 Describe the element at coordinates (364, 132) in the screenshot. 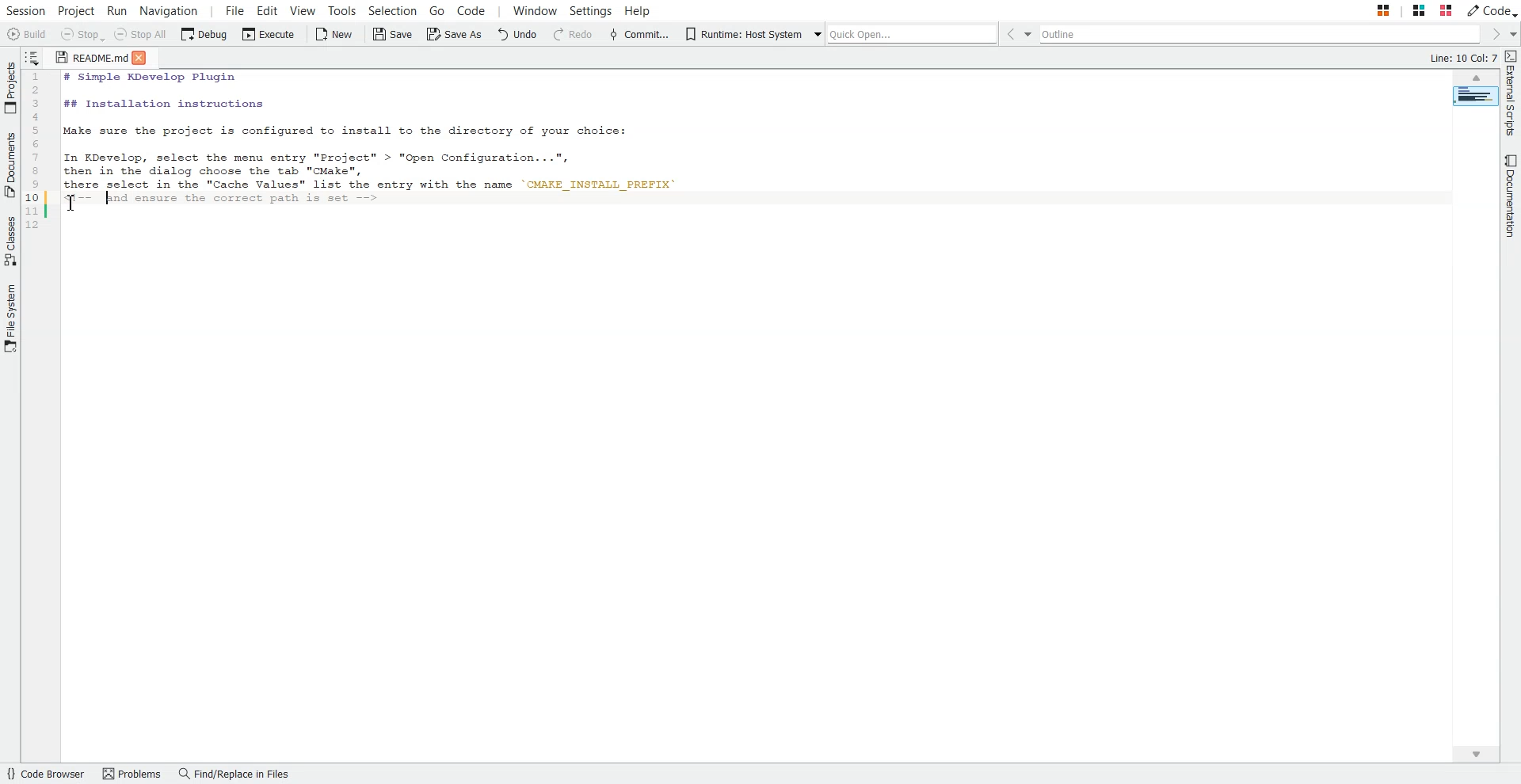

I see `Make sure the project is configured to install to the directory of your choice:` at that location.